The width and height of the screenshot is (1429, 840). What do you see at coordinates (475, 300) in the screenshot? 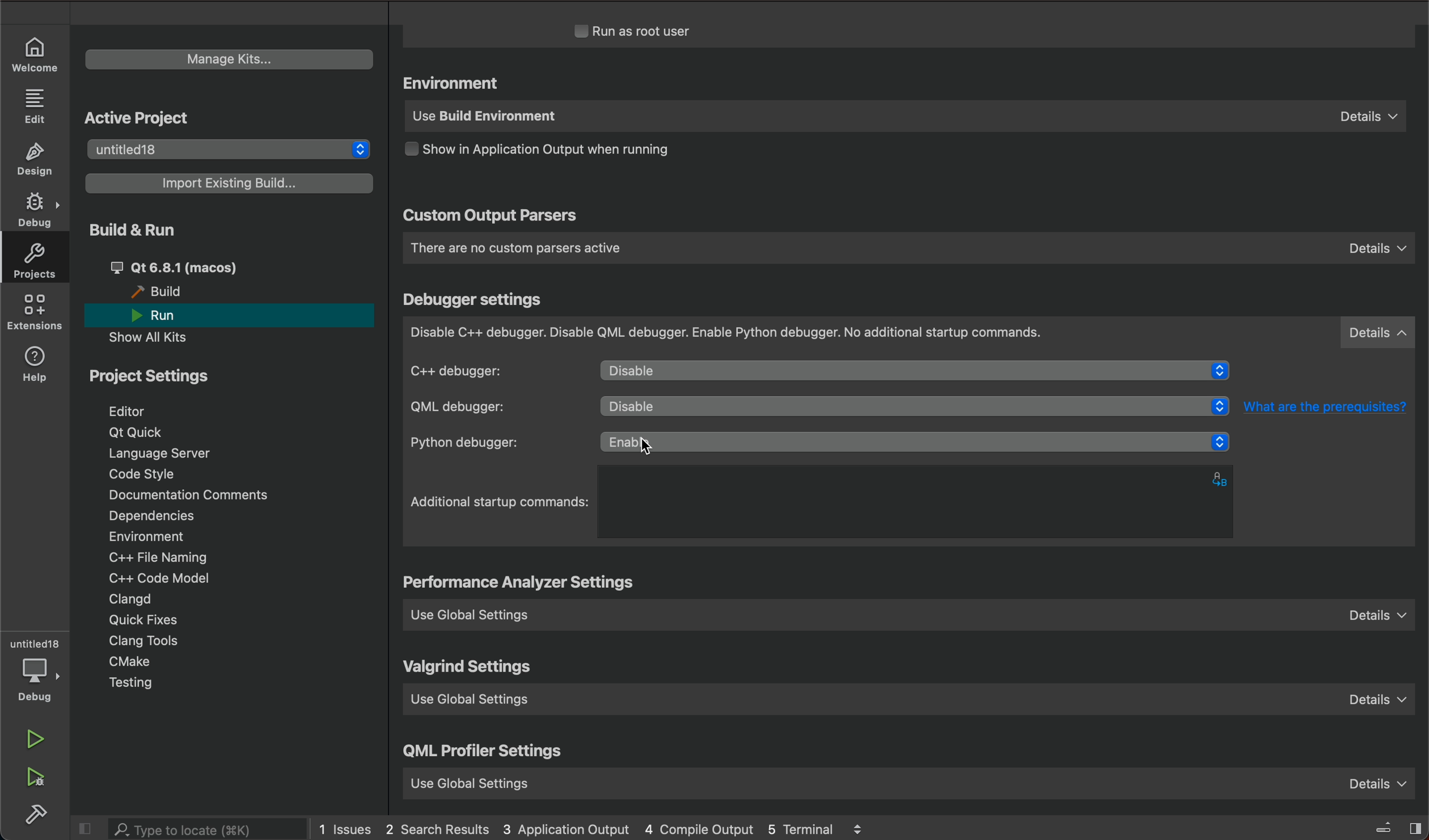
I see `debugger settings` at bounding box center [475, 300].